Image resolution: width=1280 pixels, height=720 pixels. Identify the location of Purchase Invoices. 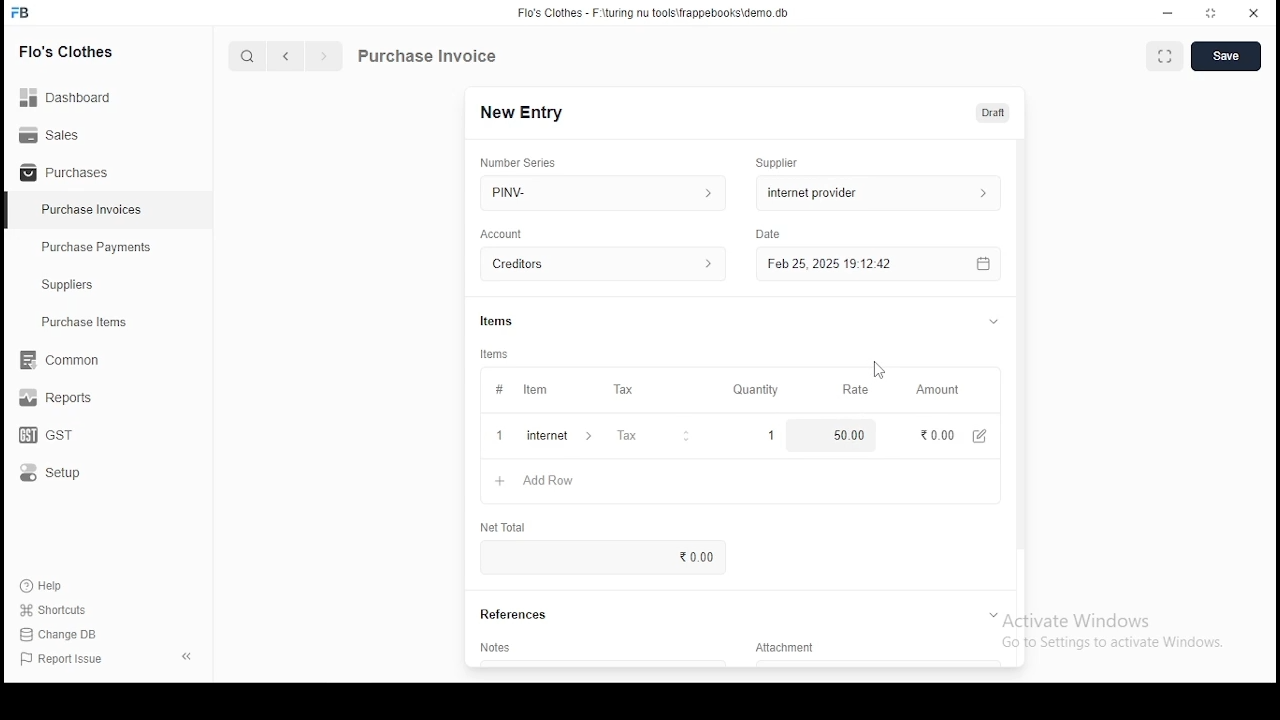
(95, 210).